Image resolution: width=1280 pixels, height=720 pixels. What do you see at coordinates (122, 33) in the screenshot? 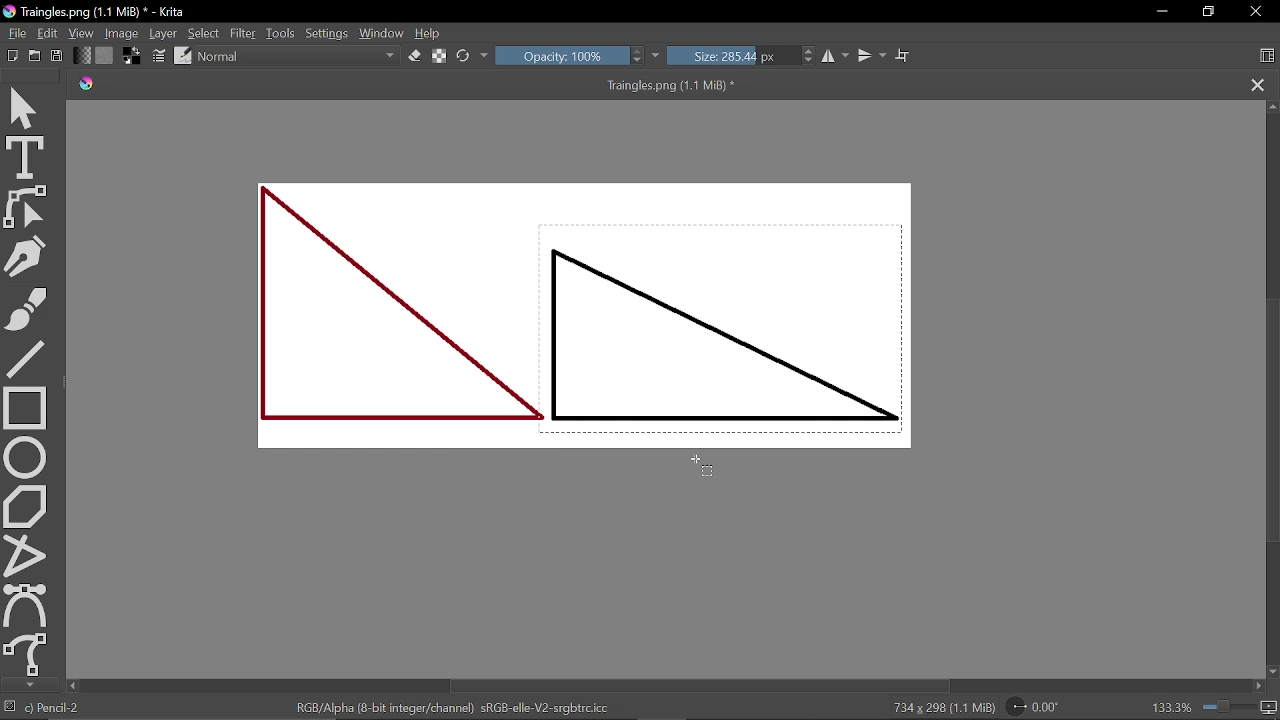
I see `Image` at bounding box center [122, 33].